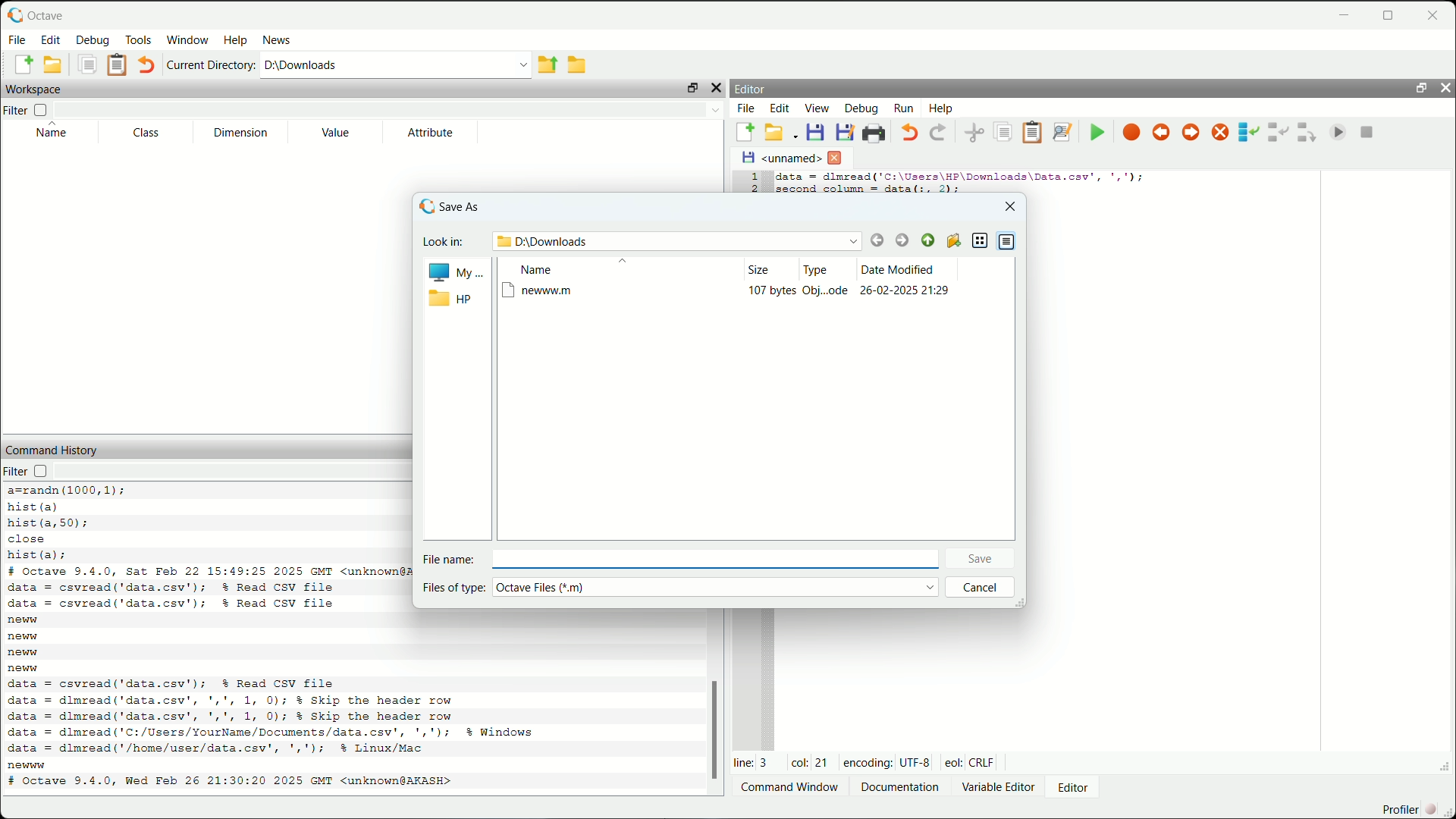 Image resolution: width=1456 pixels, height=819 pixels. I want to click on filter, so click(28, 111).